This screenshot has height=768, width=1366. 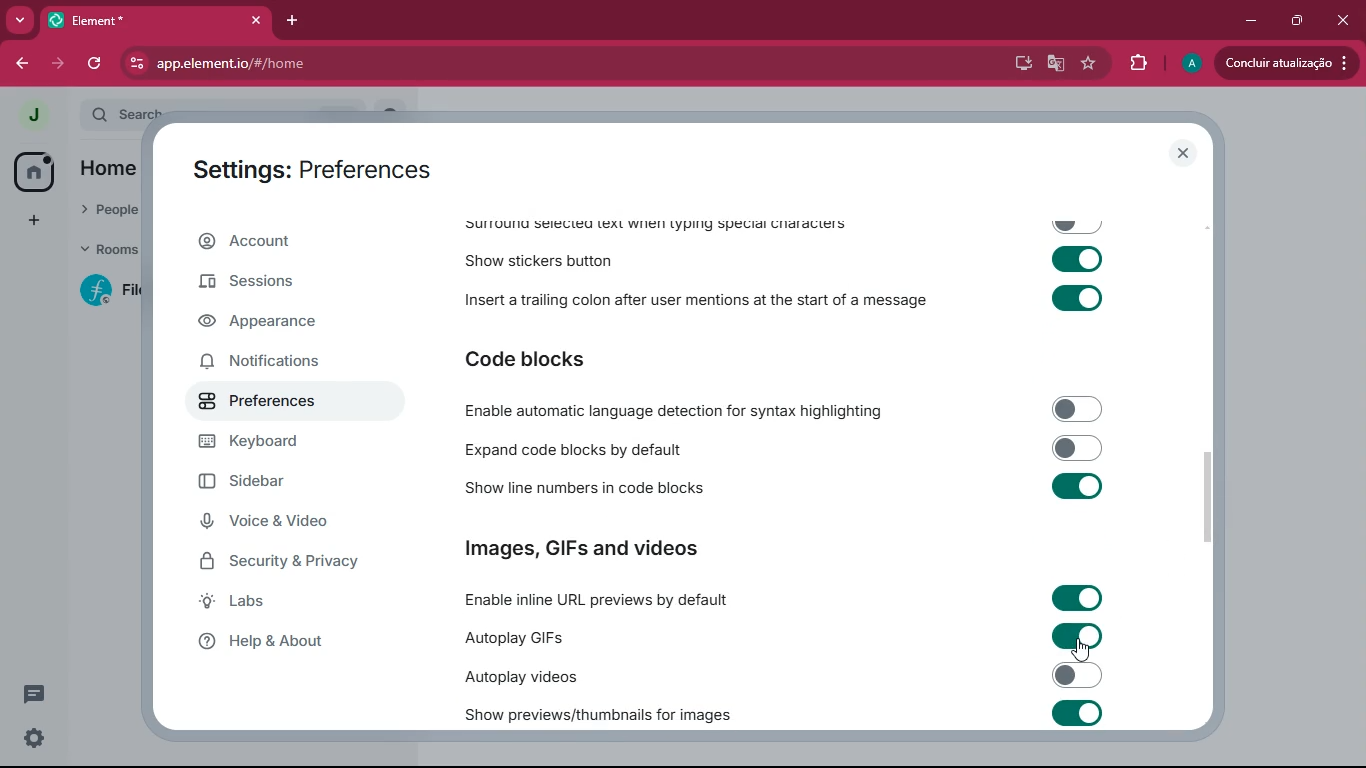 What do you see at coordinates (275, 365) in the screenshot?
I see `notifications` at bounding box center [275, 365].